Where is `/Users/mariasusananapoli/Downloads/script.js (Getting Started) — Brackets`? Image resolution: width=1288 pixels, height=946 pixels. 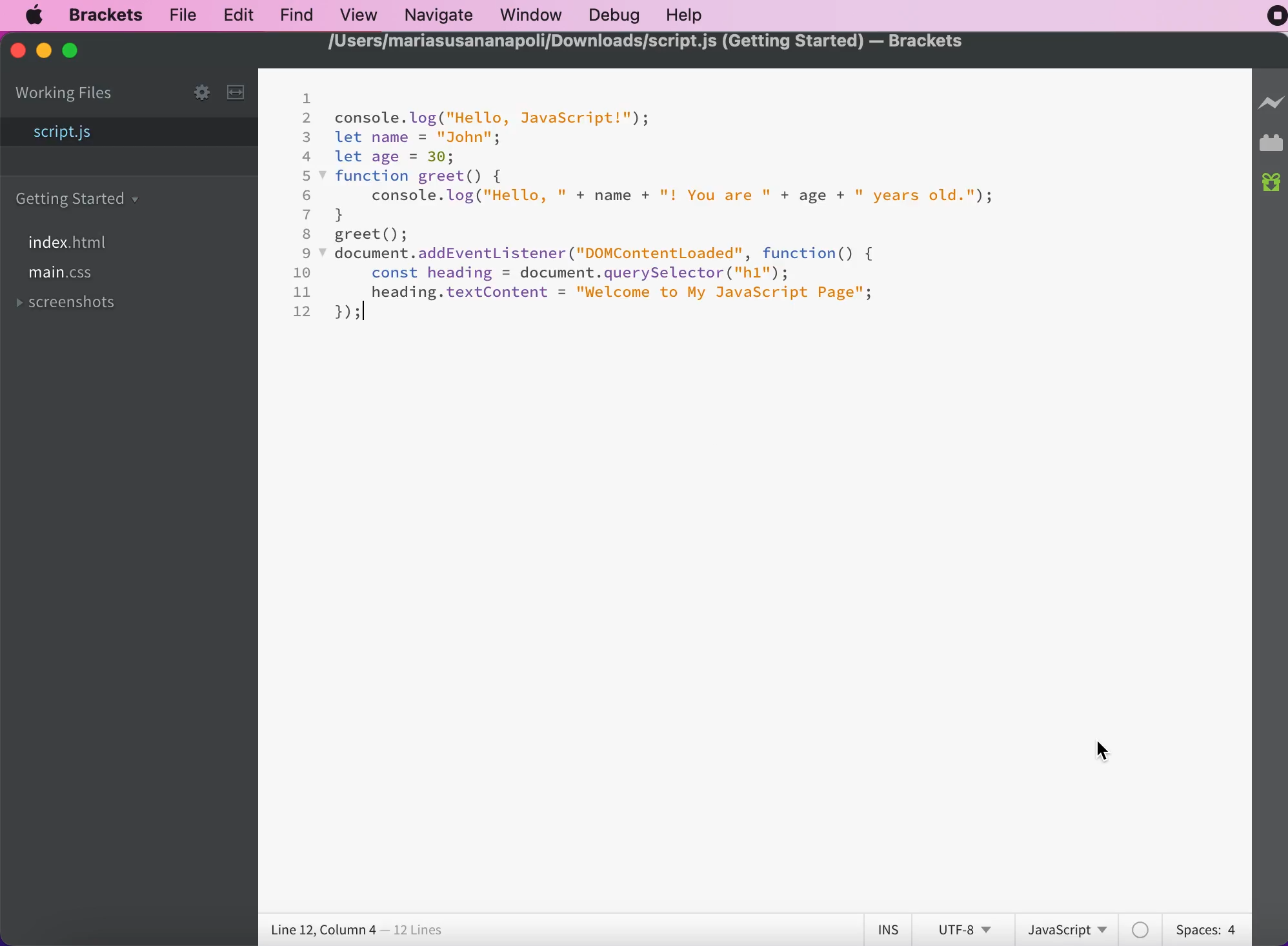
/Users/mariasusananapoli/Downloads/script.js (Getting Started) — Brackets is located at coordinates (646, 43).